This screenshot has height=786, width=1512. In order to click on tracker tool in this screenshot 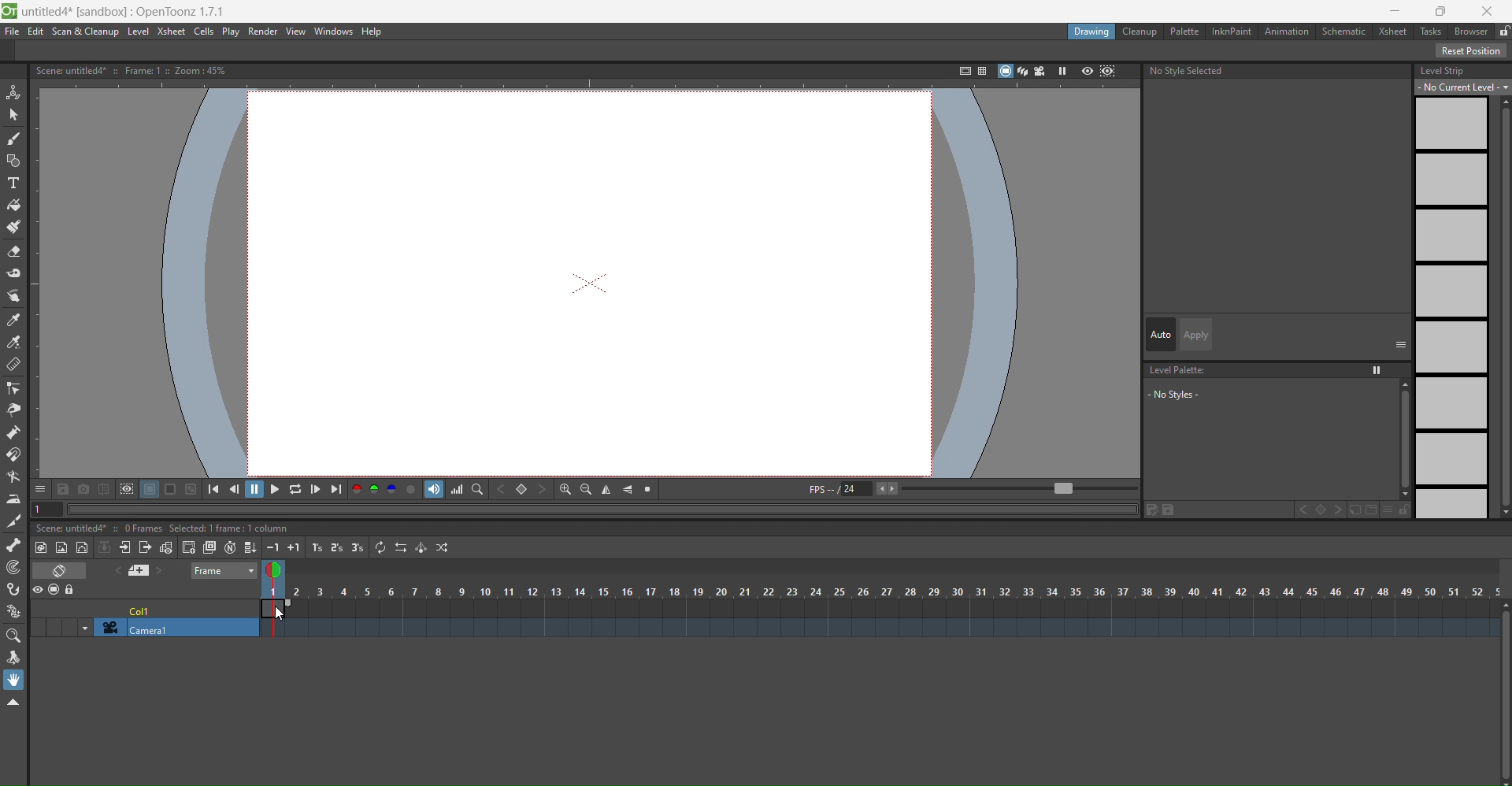, I will do `click(13, 569)`.